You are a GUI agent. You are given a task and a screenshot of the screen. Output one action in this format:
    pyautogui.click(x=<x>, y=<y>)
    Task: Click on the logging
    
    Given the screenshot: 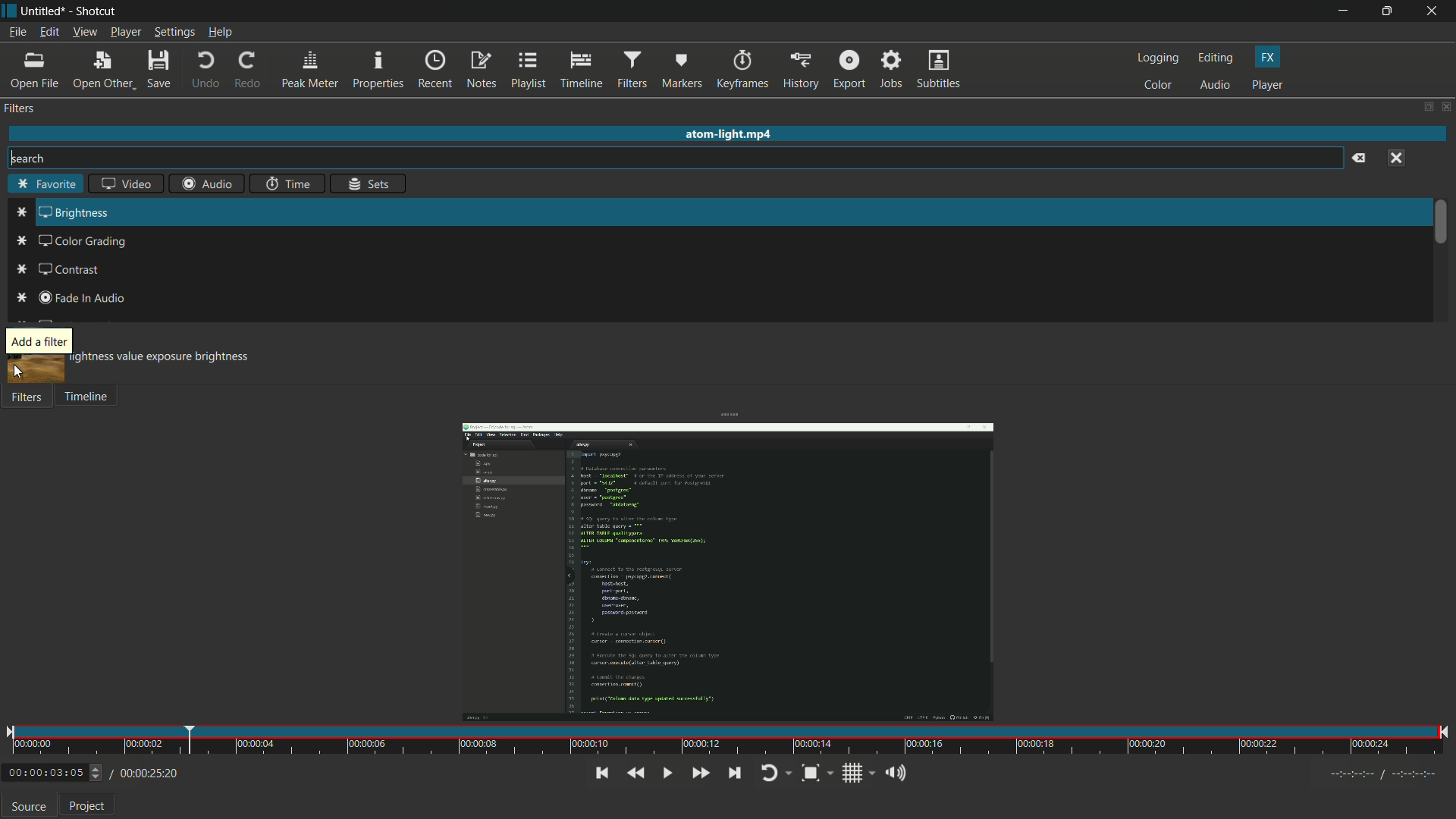 What is the action you would take?
    pyautogui.click(x=1157, y=58)
    